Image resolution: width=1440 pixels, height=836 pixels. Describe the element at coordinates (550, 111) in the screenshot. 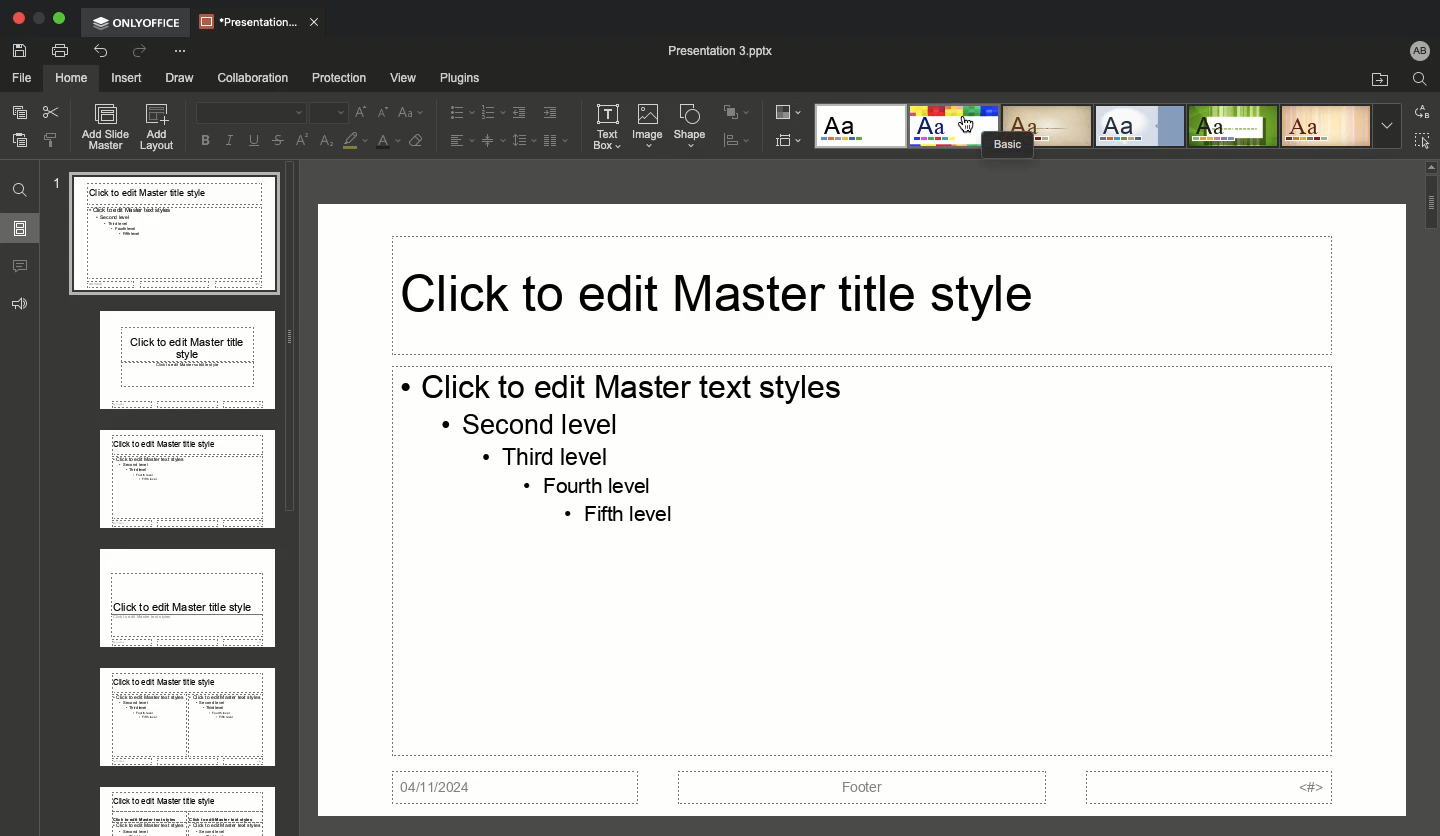

I see `Increase indent` at that location.